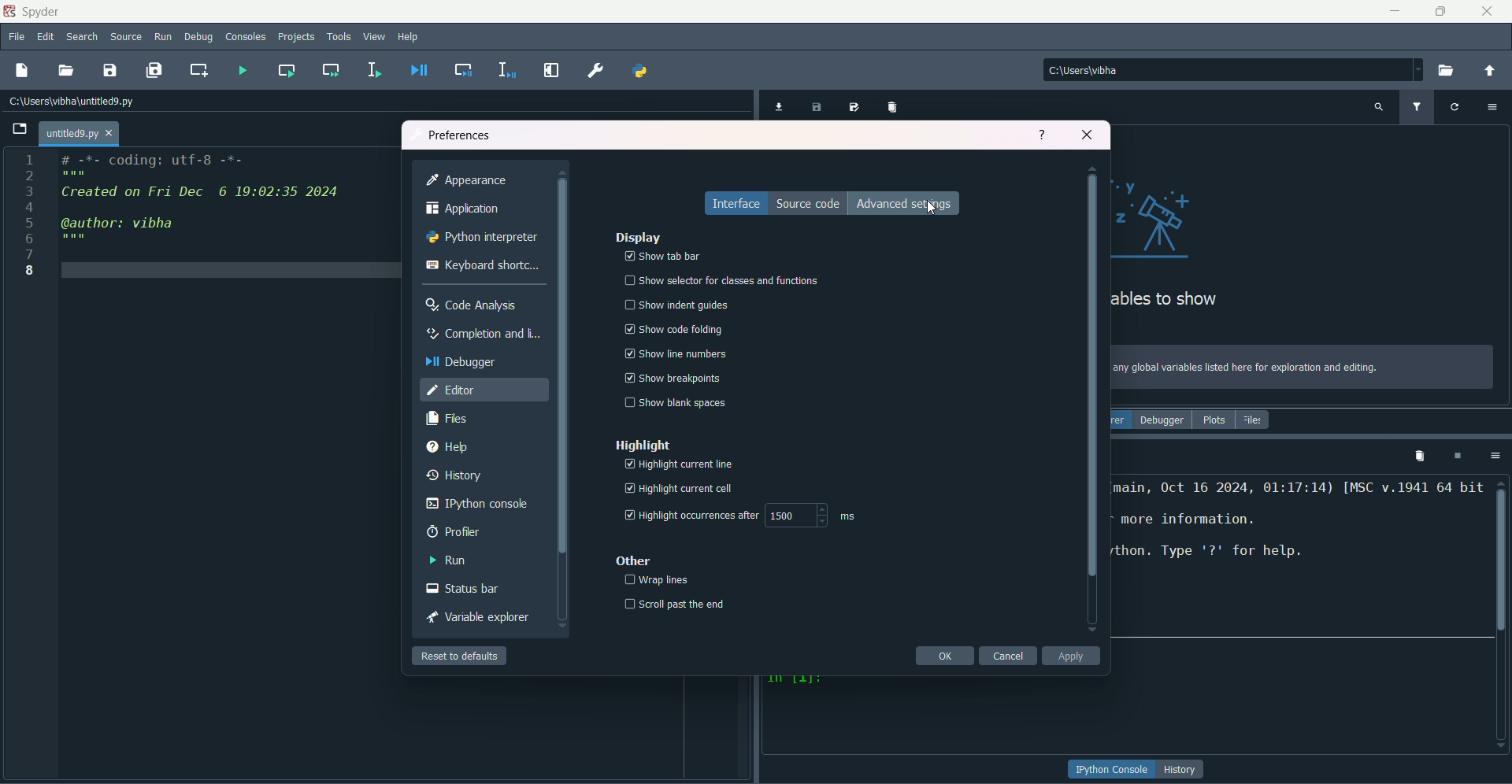  What do you see at coordinates (67, 71) in the screenshot?
I see `open file` at bounding box center [67, 71].